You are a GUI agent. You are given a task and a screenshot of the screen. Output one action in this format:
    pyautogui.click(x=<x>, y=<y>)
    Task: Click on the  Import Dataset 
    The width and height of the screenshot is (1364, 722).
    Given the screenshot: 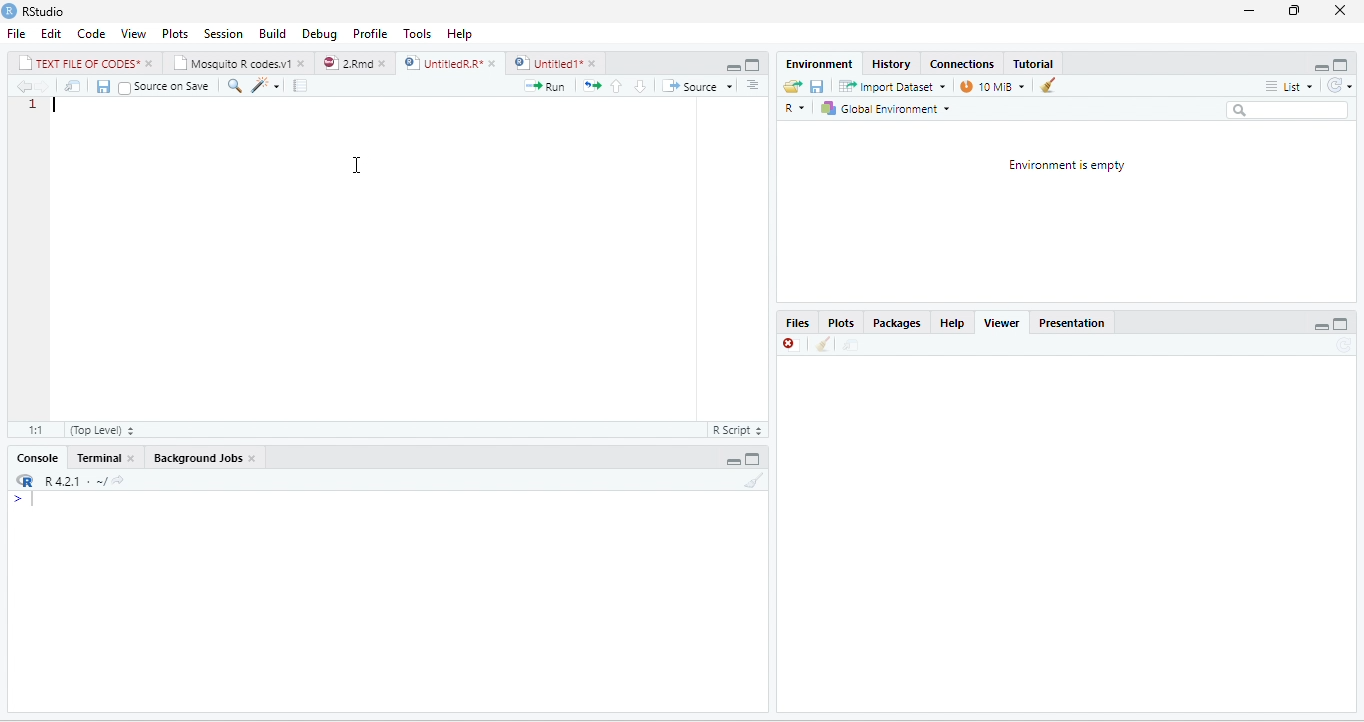 What is the action you would take?
    pyautogui.click(x=893, y=86)
    